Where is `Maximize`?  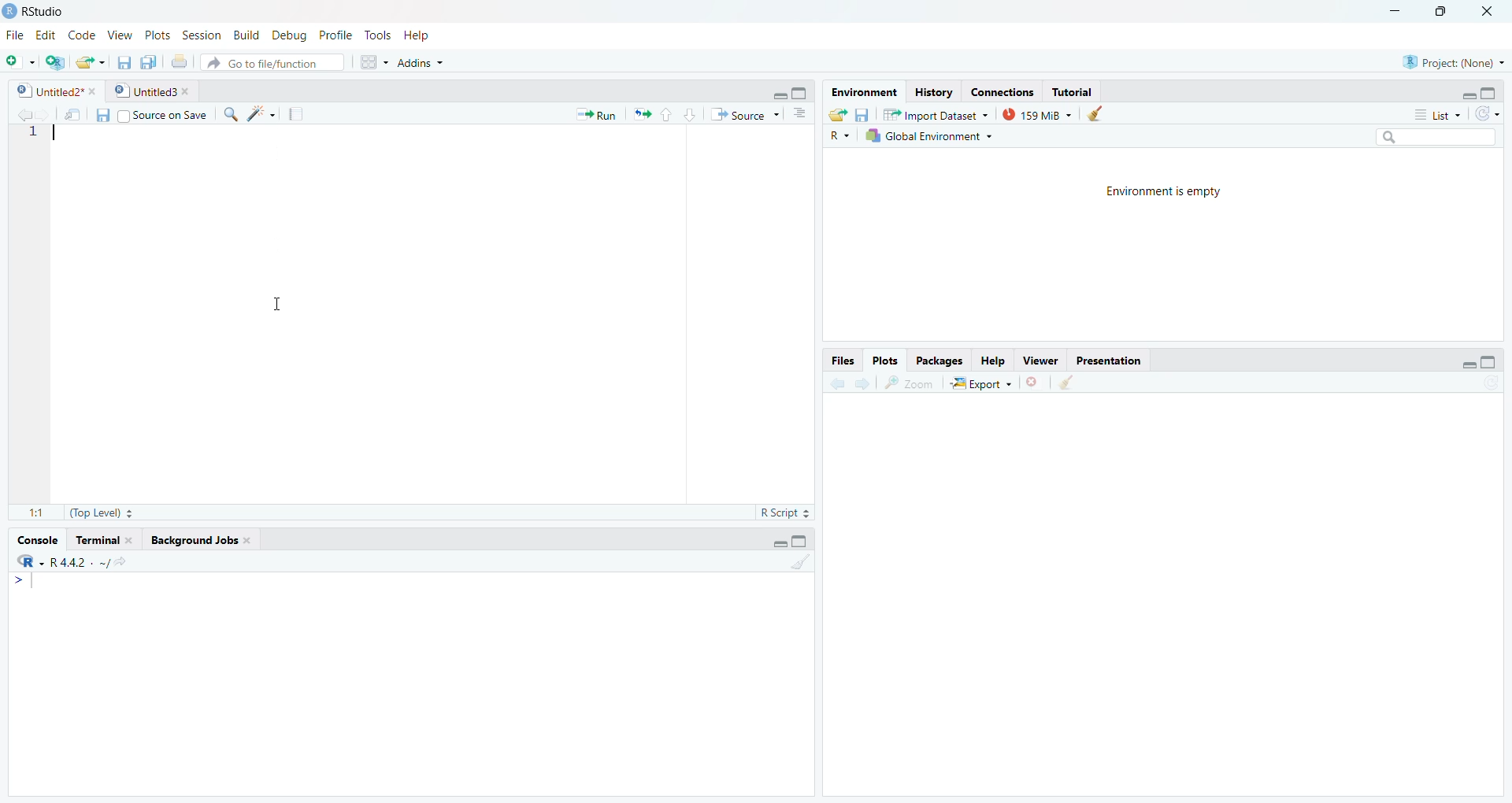
Maximize is located at coordinates (1489, 93).